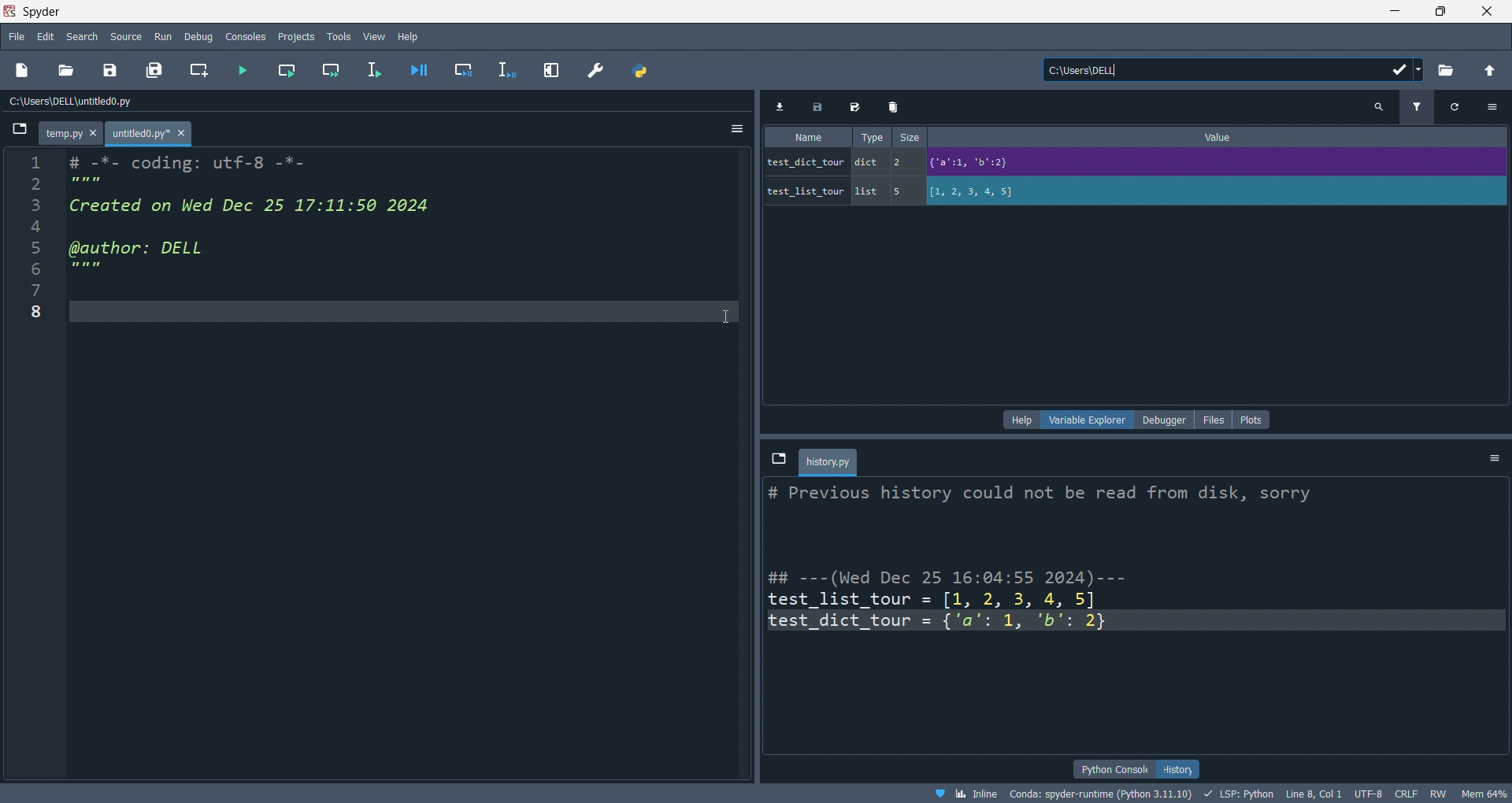  I want to click on run line, so click(376, 72).